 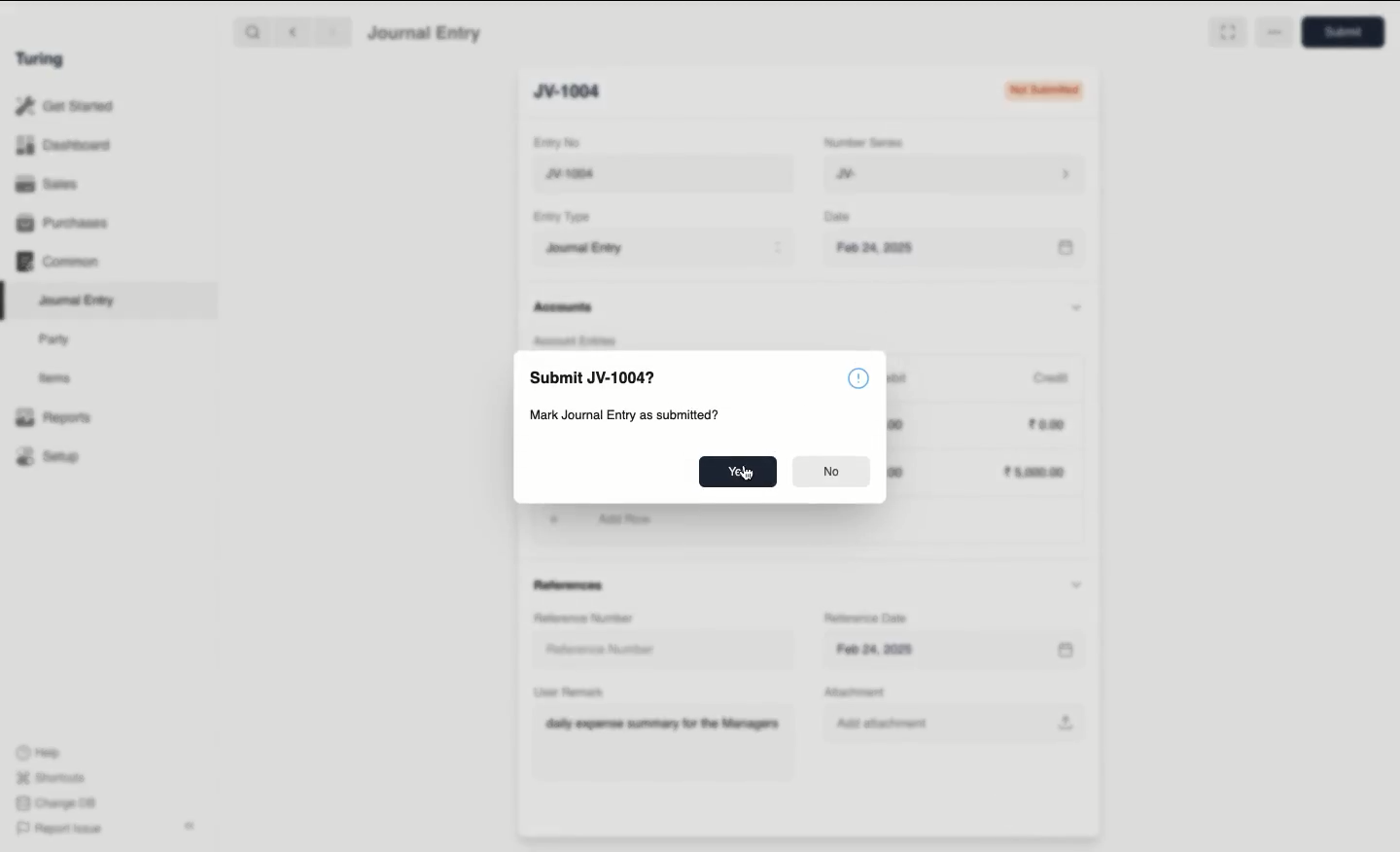 I want to click on Change DB, so click(x=55, y=803).